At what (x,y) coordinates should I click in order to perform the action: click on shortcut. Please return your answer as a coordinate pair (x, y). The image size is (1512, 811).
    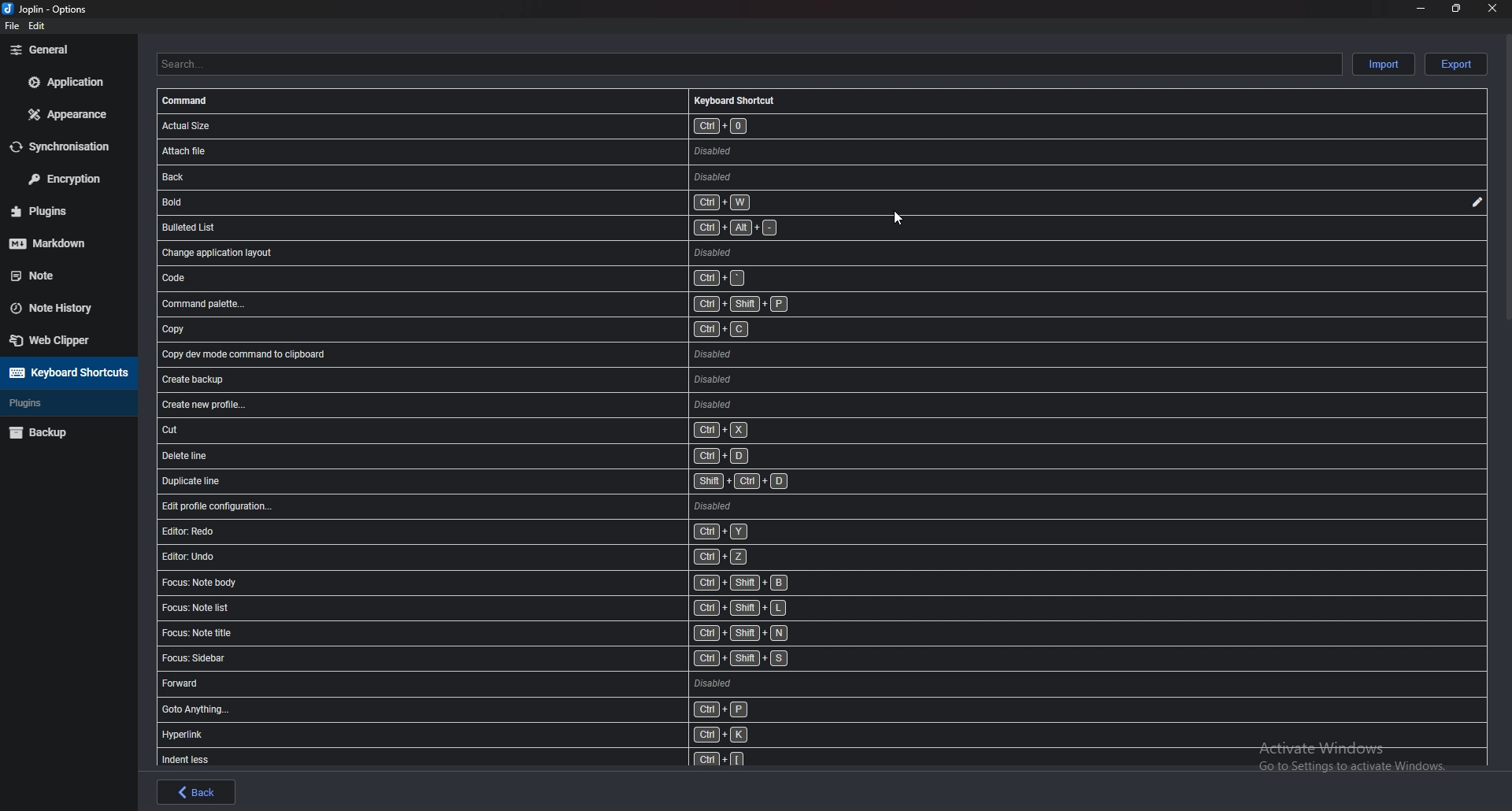
    Looking at the image, I should click on (512, 609).